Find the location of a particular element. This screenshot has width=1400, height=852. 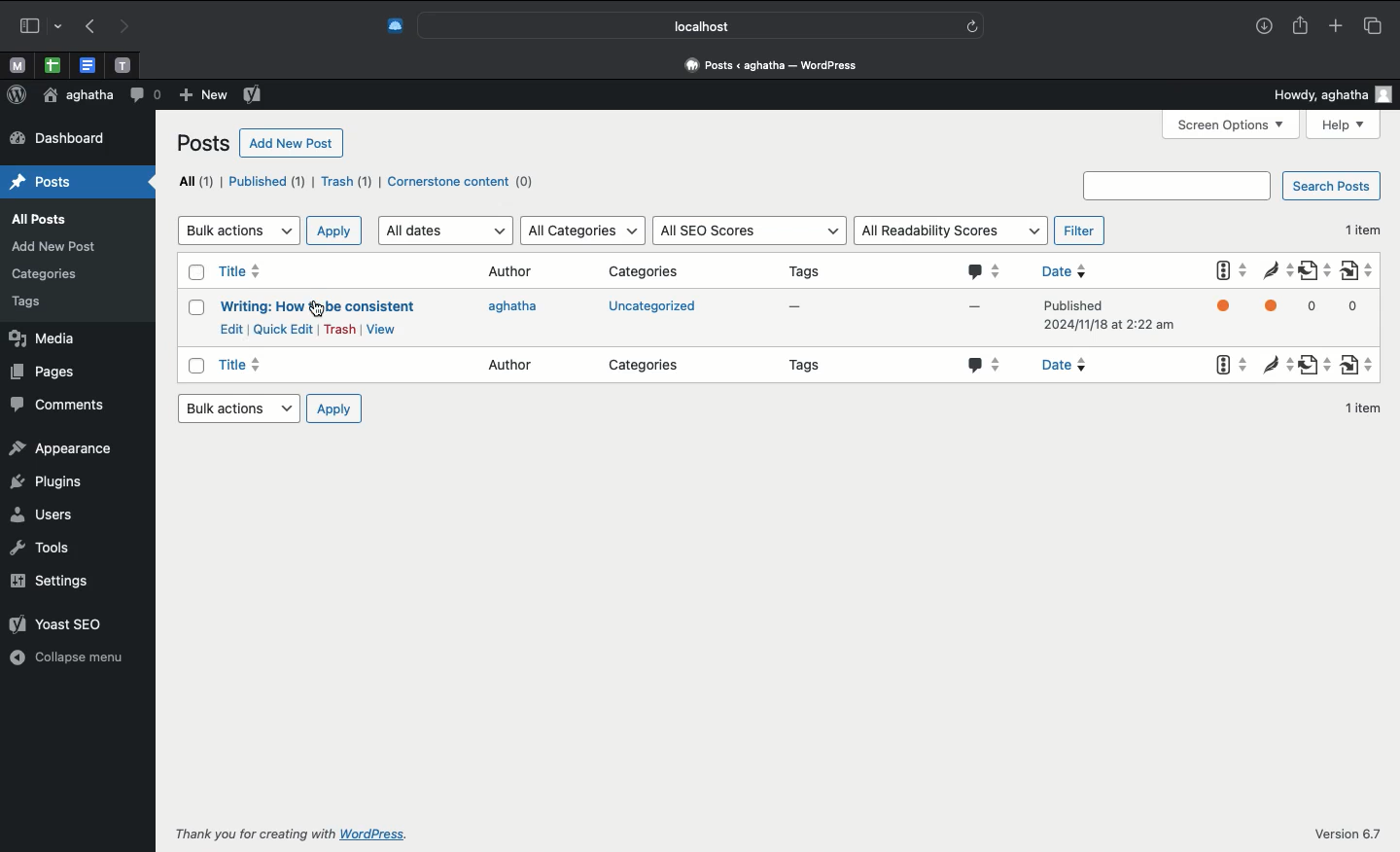

Filter is located at coordinates (1081, 230).